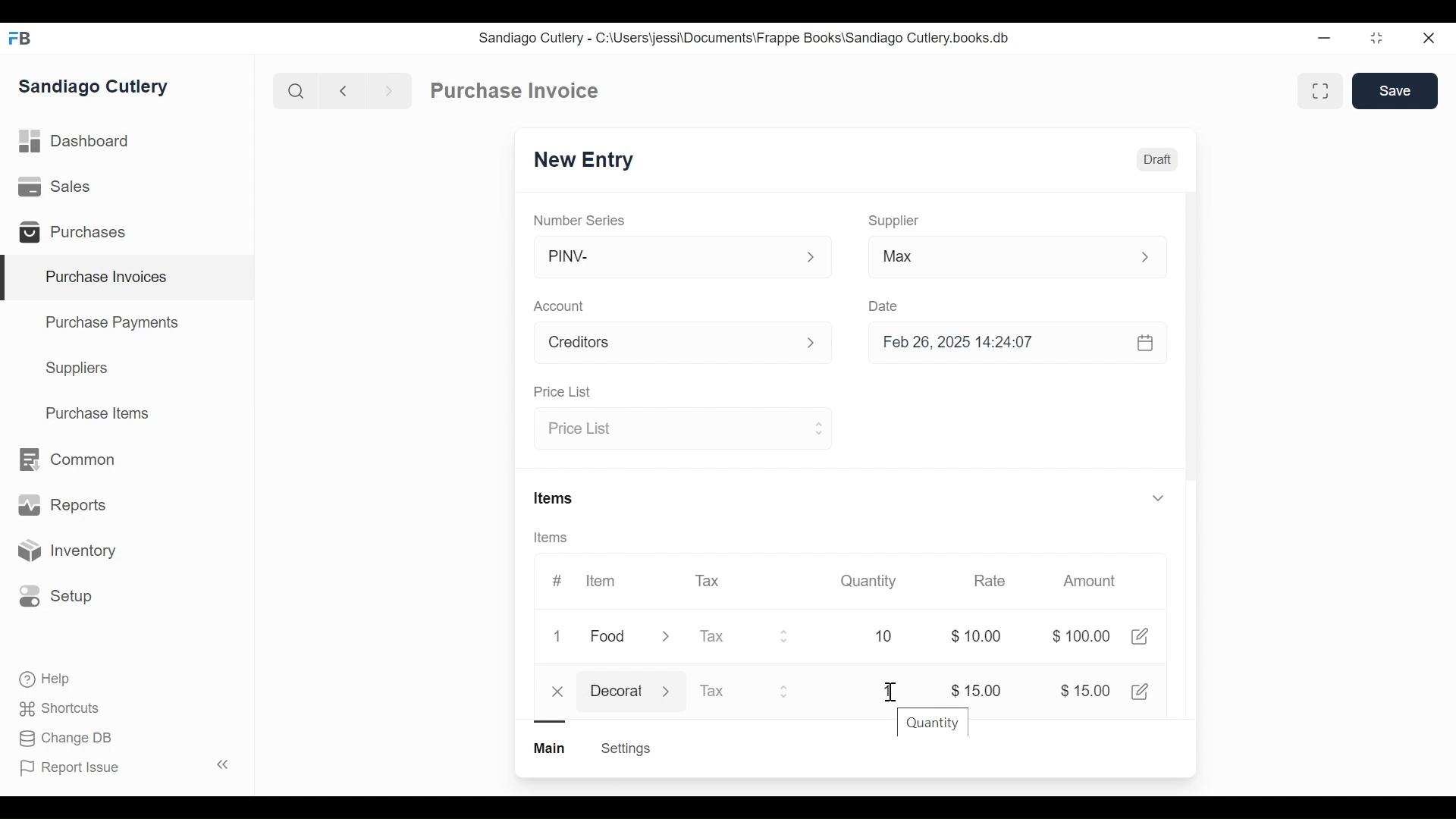  What do you see at coordinates (867, 580) in the screenshot?
I see `Quantity` at bounding box center [867, 580].